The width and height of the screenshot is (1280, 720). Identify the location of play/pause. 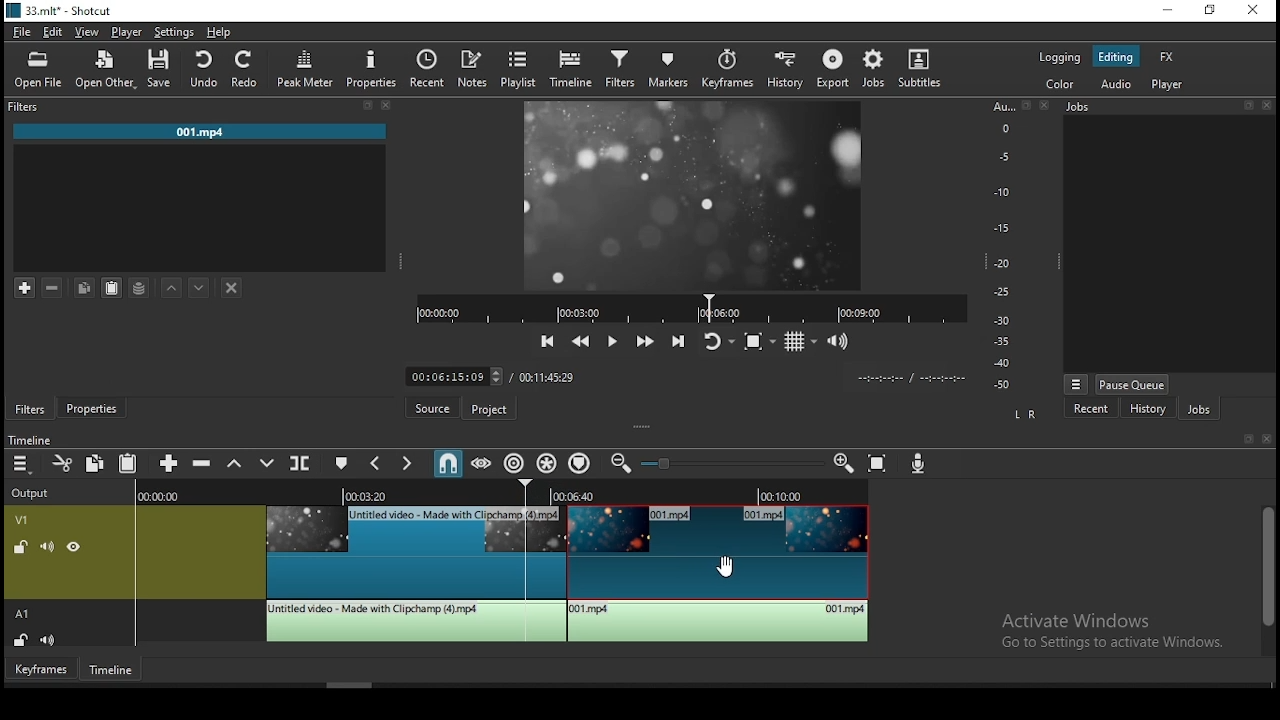
(613, 341).